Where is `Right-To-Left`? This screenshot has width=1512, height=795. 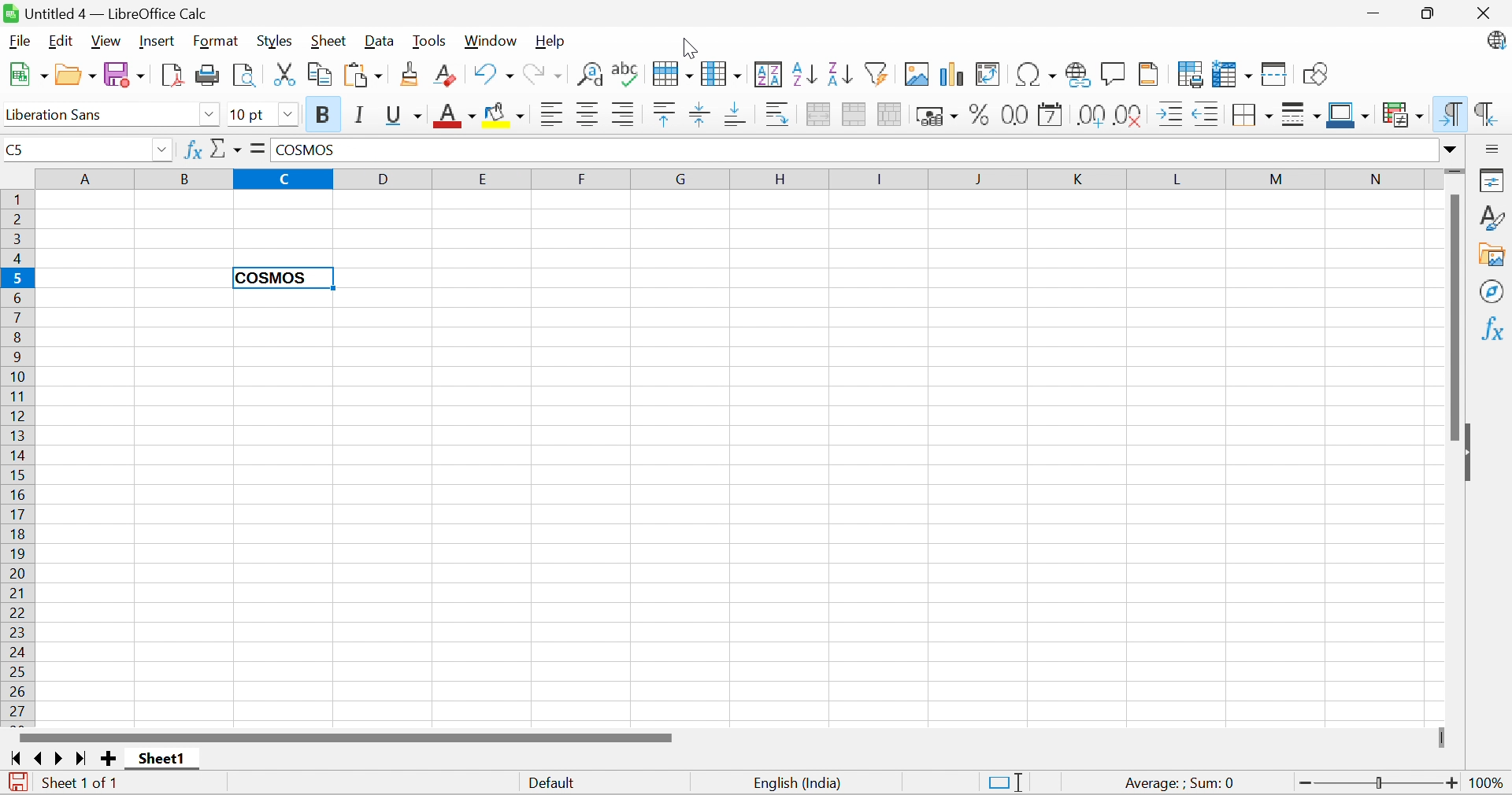
Right-To-Left is located at coordinates (1488, 113).